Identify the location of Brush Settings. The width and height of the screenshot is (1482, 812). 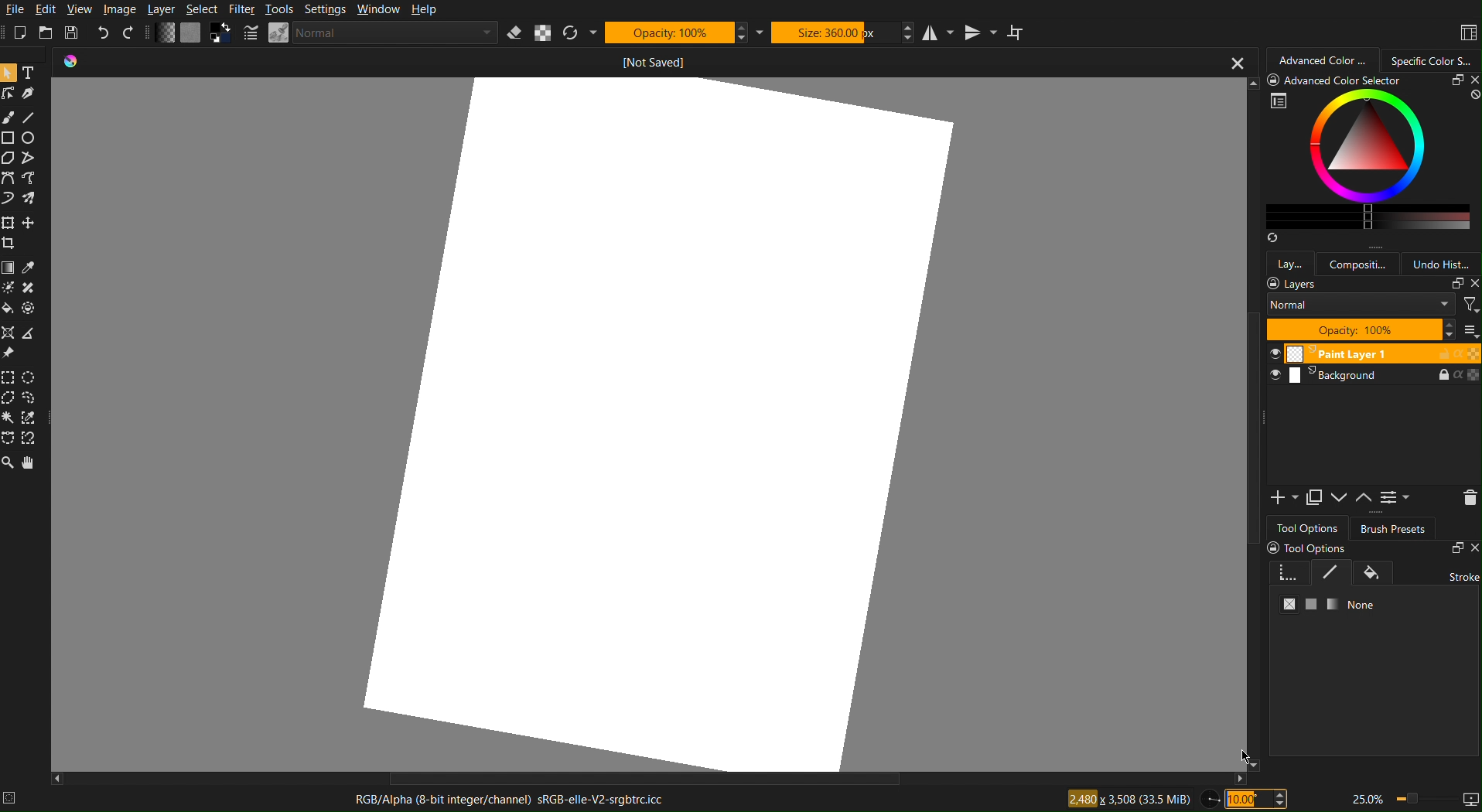
(368, 34).